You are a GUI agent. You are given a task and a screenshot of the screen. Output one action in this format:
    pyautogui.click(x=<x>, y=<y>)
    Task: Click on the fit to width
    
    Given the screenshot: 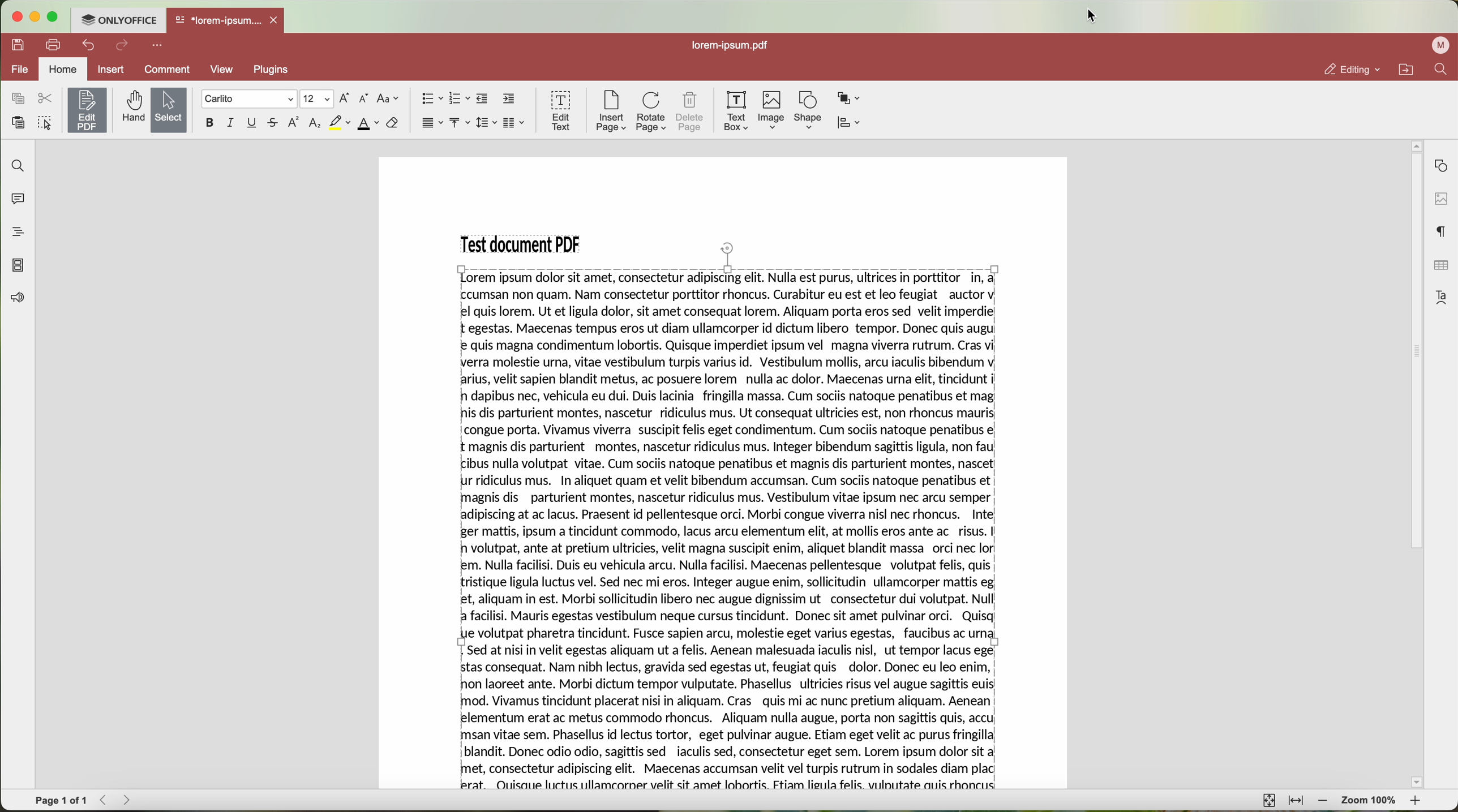 What is the action you would take?
    pyautogui.click(x=1297, y=801)
    